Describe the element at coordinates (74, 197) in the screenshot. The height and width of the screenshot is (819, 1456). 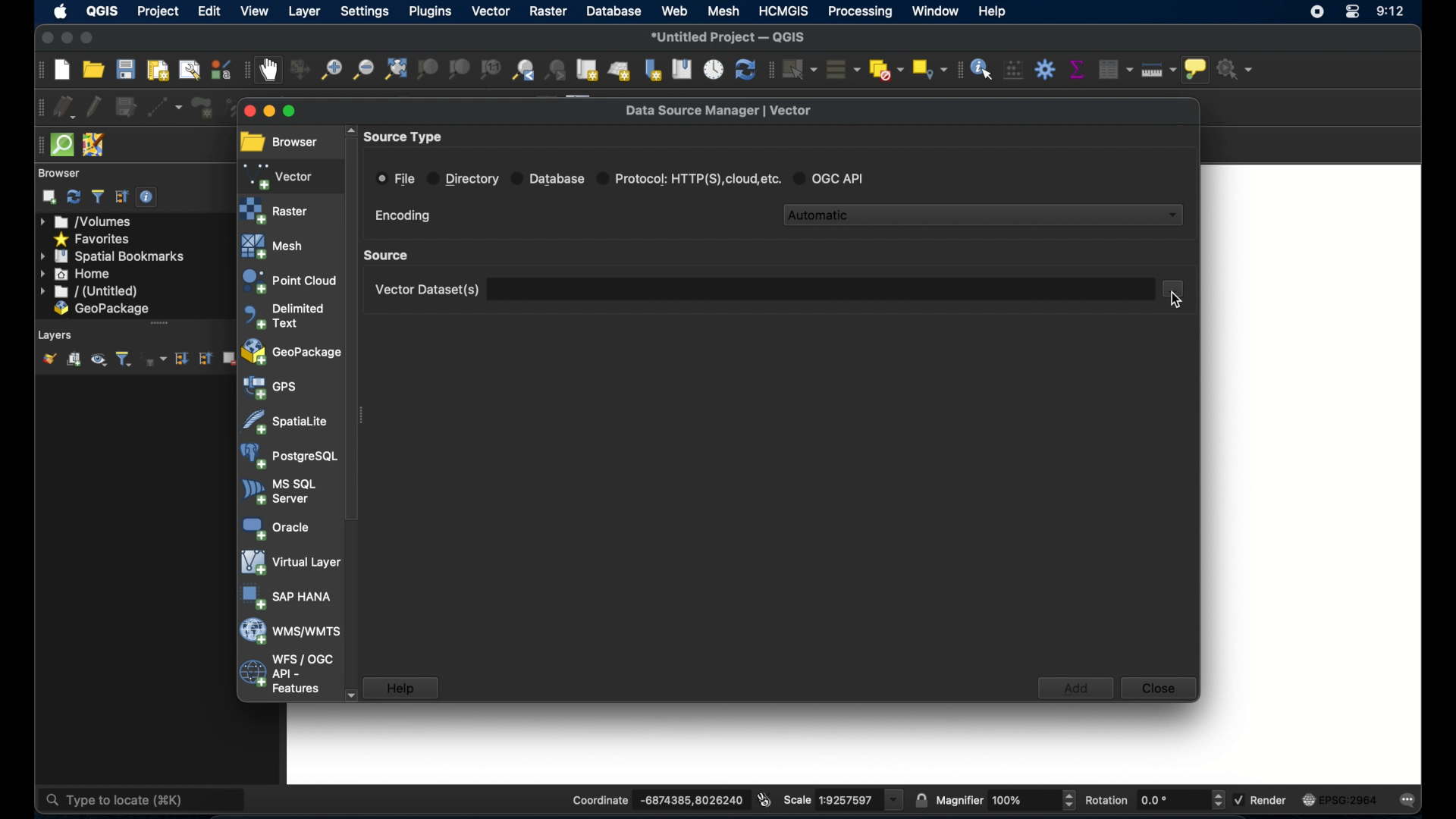
I see `refresh` at that location.